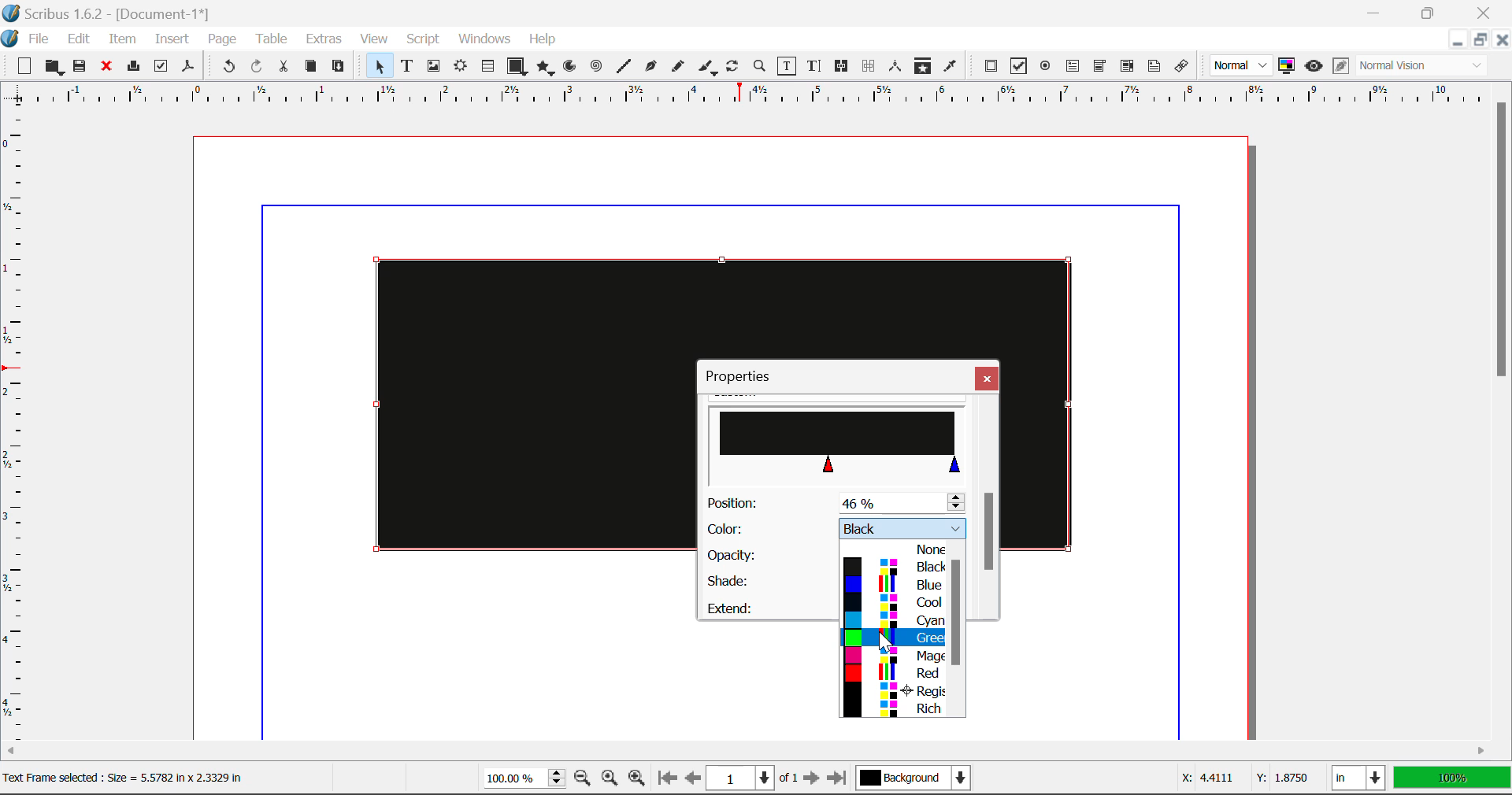 This screenshot has height=795, width=1512. I want to click on Zoom to 100%, so click(610, 780).